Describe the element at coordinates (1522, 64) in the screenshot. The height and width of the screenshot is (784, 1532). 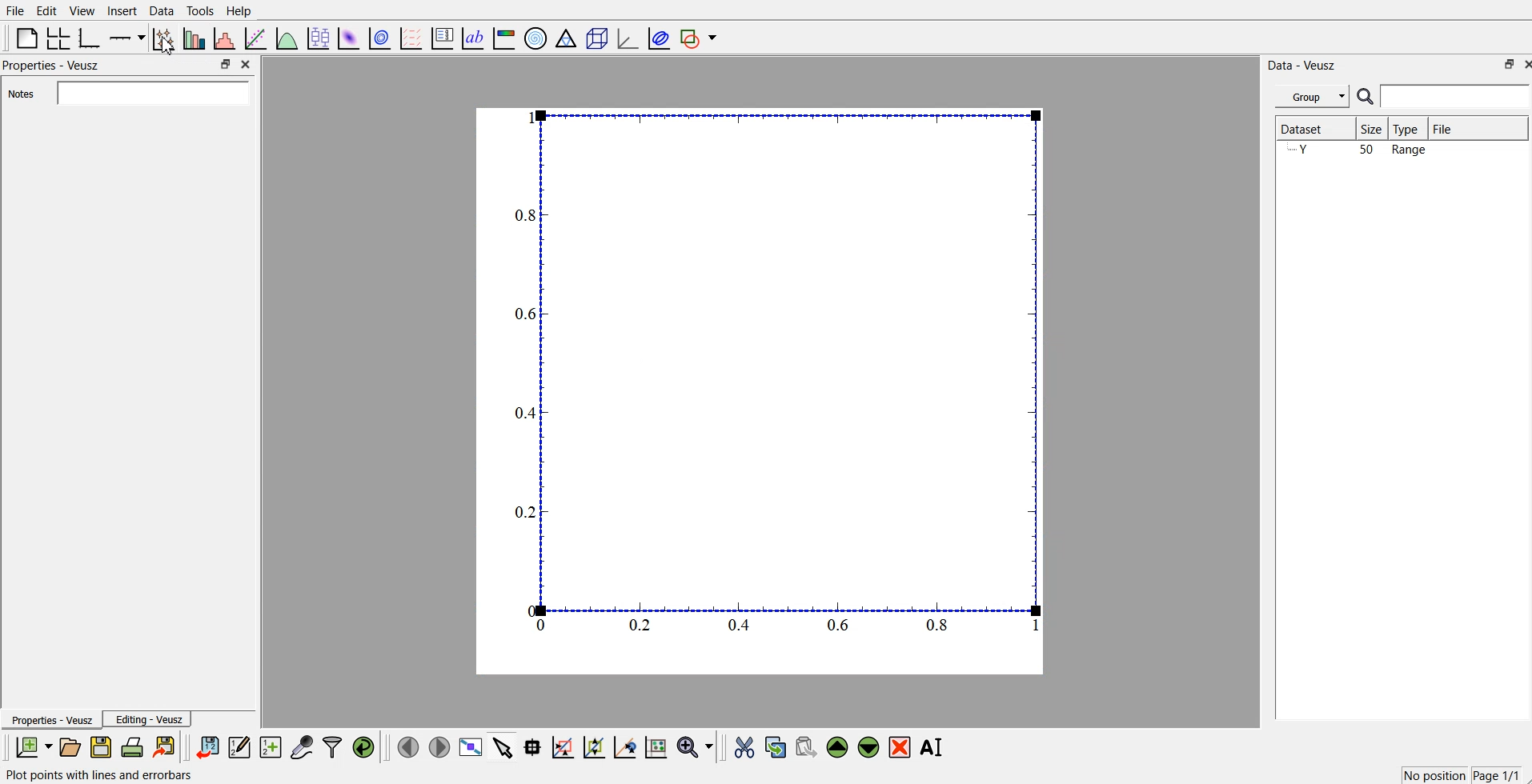
I see `close` at that location.